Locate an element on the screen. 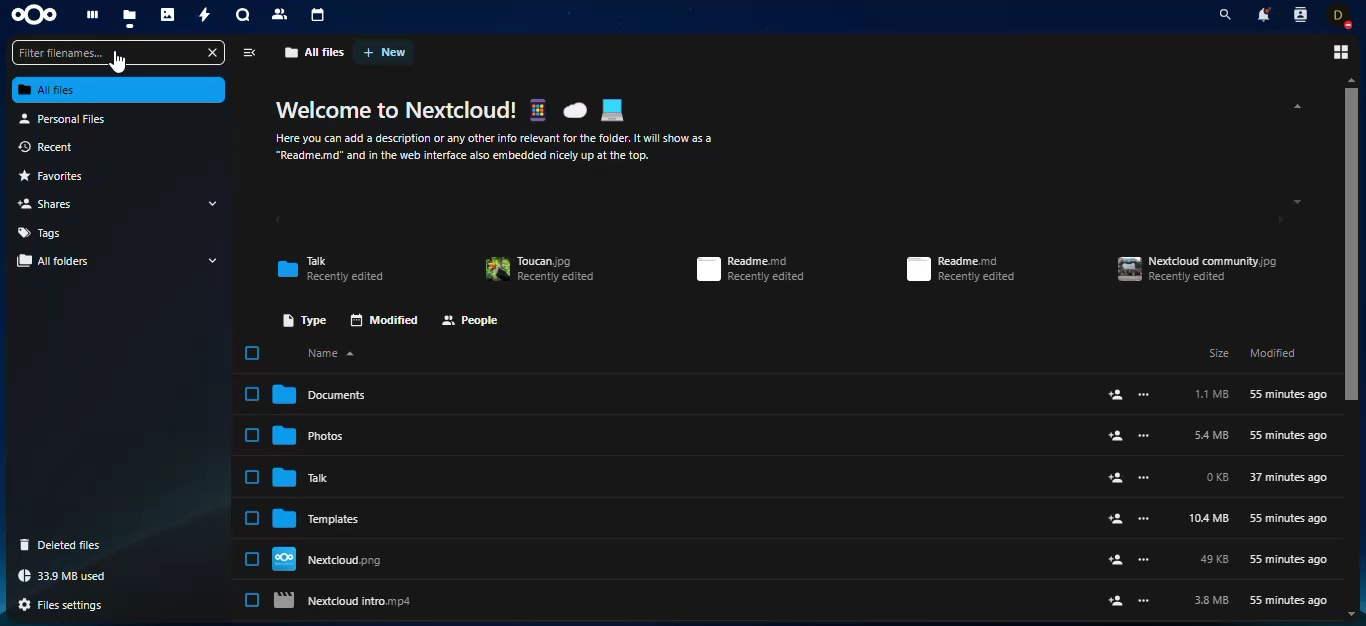 The image size is (1366, 626). Nextcloud intro.mp4 is located at coordinates (682, 601).